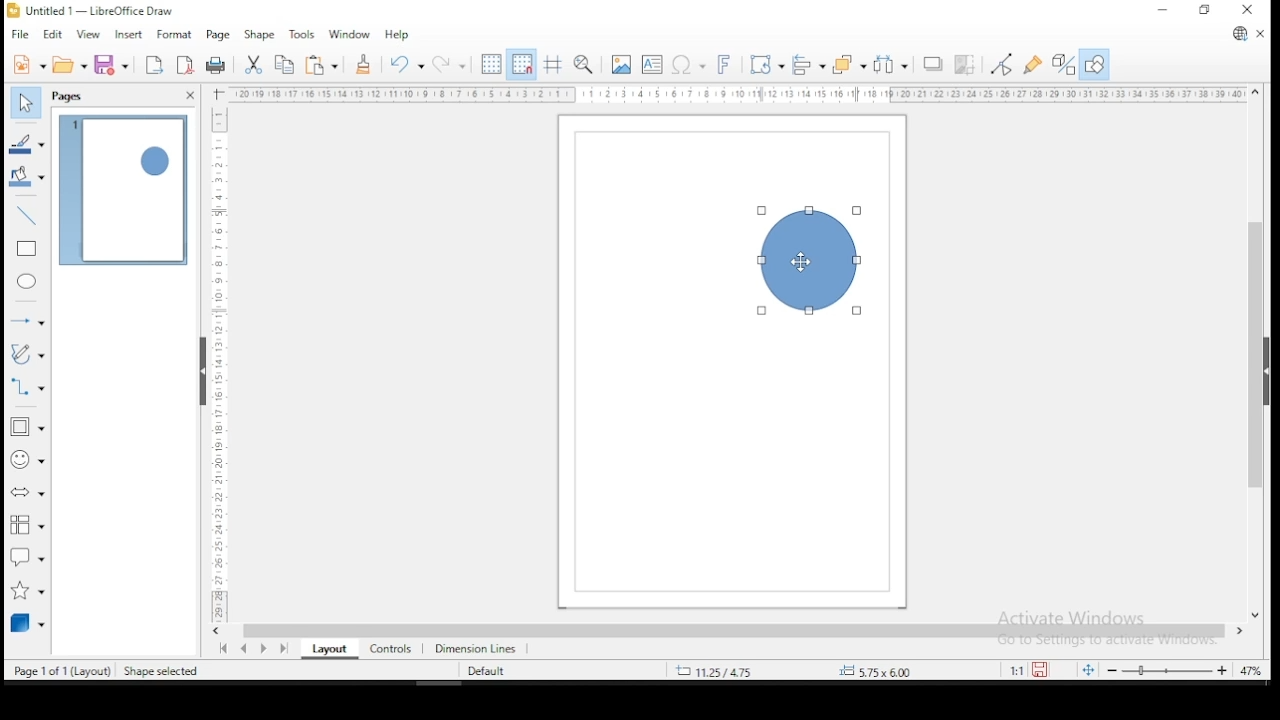  Describe the element at coordinates (738, 94) in the screenshot. I see `horizontal scale` at that location.